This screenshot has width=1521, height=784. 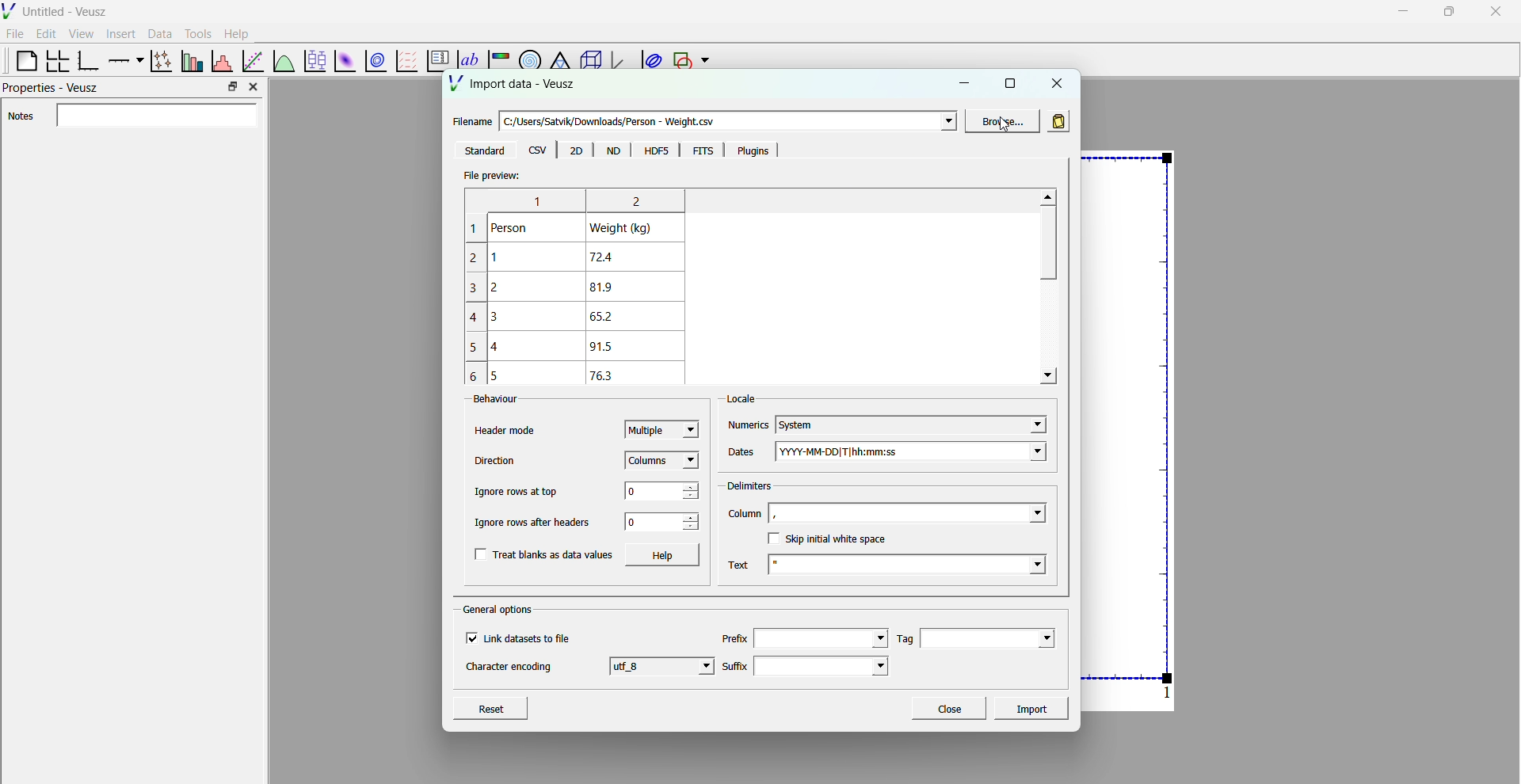 What do you see at coordinates (515, 86) in the screenshot?
I see `Import Data - Veusz` at bounding box center [515, 86].